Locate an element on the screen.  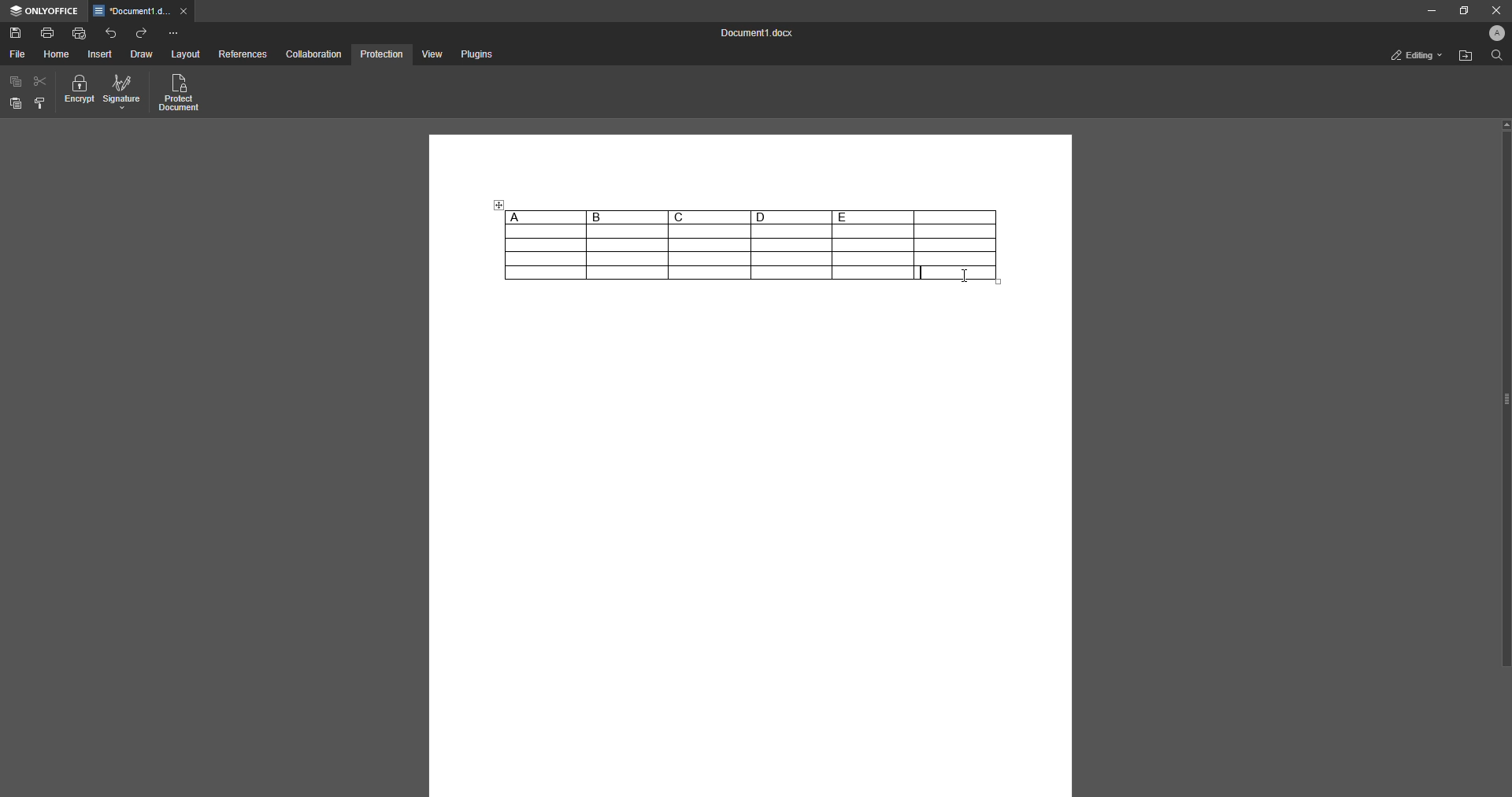
Tab 1 is located at coordinates (143, 12).